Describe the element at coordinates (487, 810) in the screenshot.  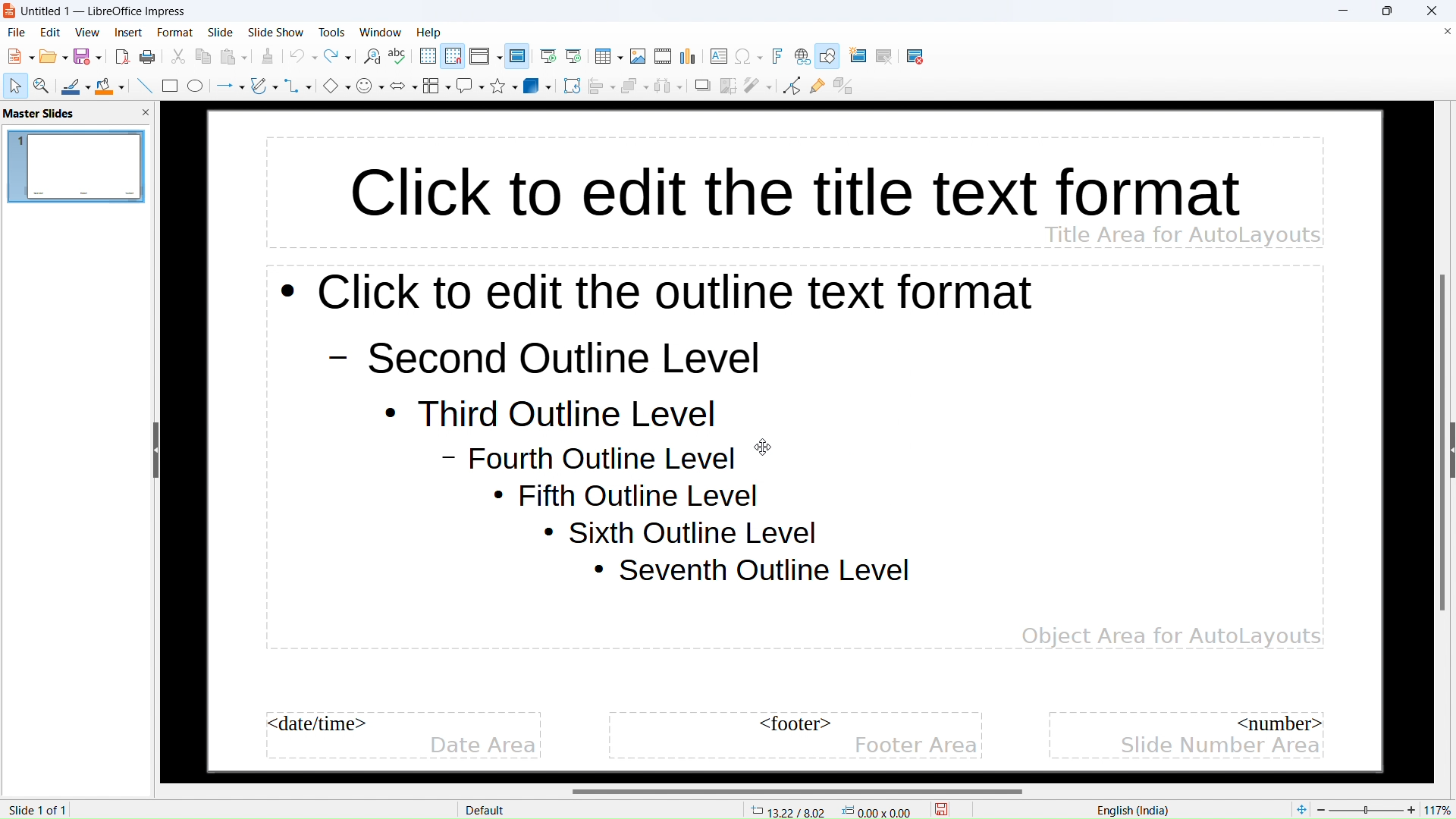
I see `Default` at that location.